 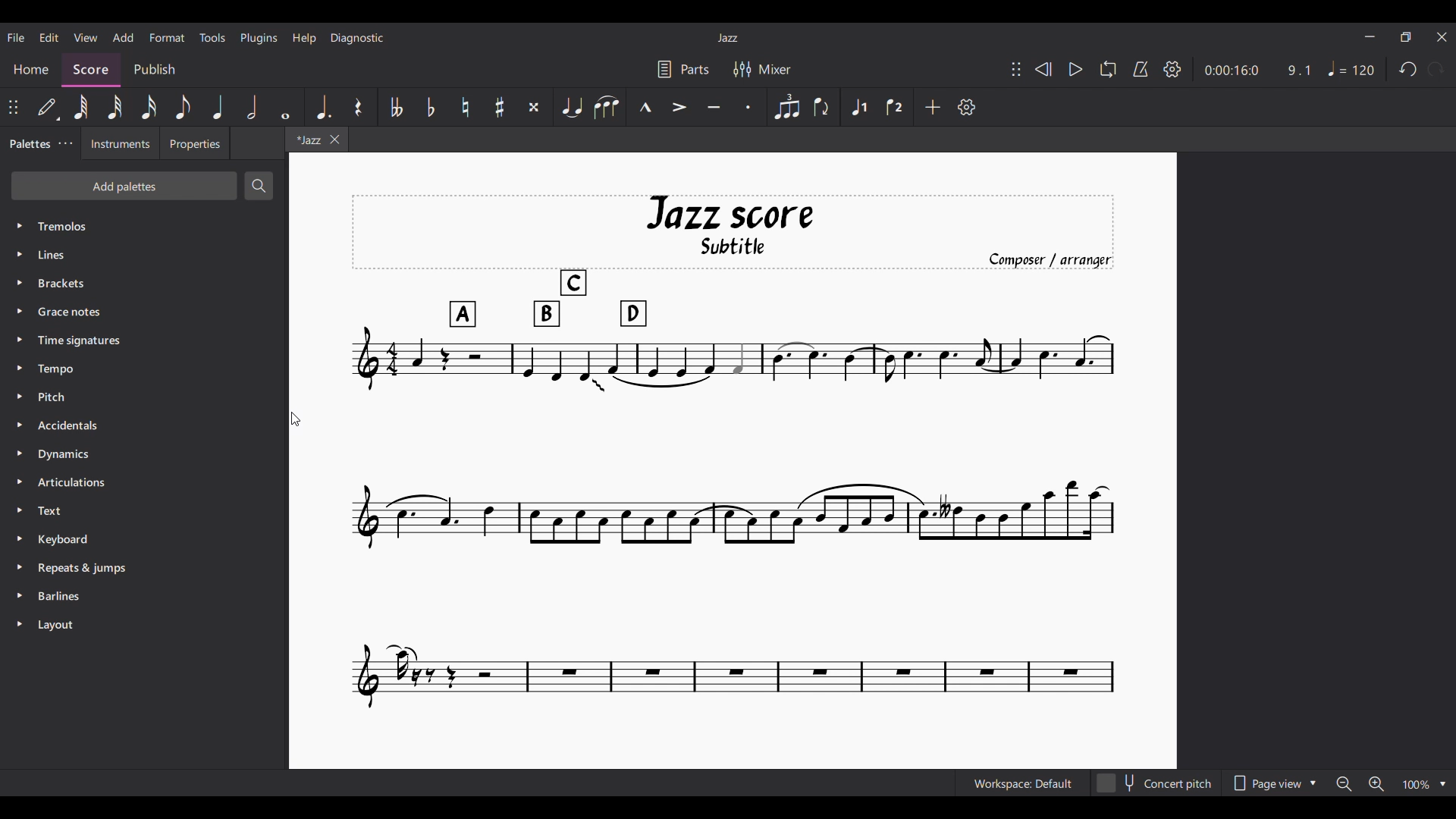 What do you see at coordinates (143, 482) in the screenshot?
I see `Articulations` at bounding box center [143, 482].